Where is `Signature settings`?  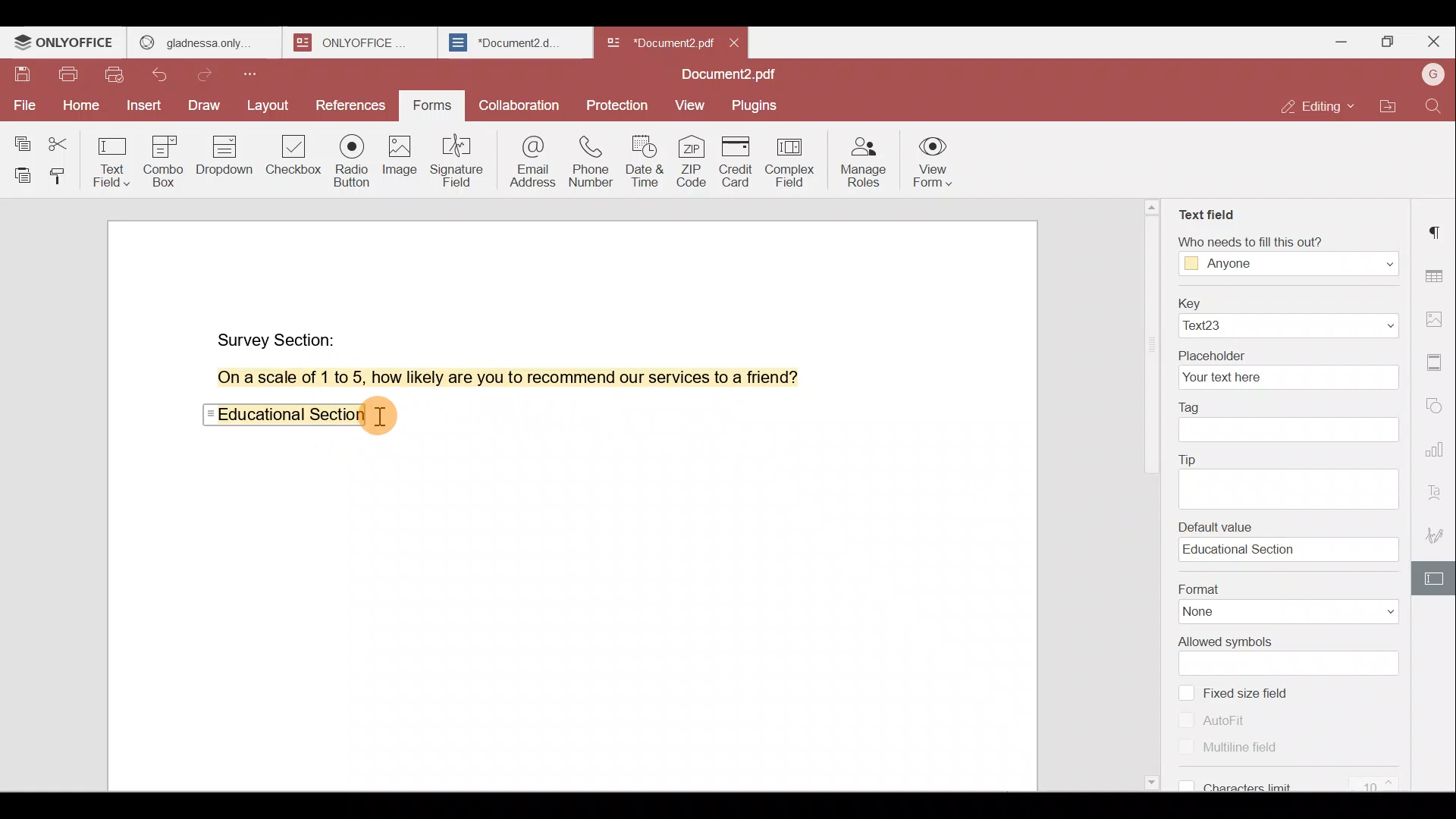
Signature settings is located at coordinates (1439, 534).